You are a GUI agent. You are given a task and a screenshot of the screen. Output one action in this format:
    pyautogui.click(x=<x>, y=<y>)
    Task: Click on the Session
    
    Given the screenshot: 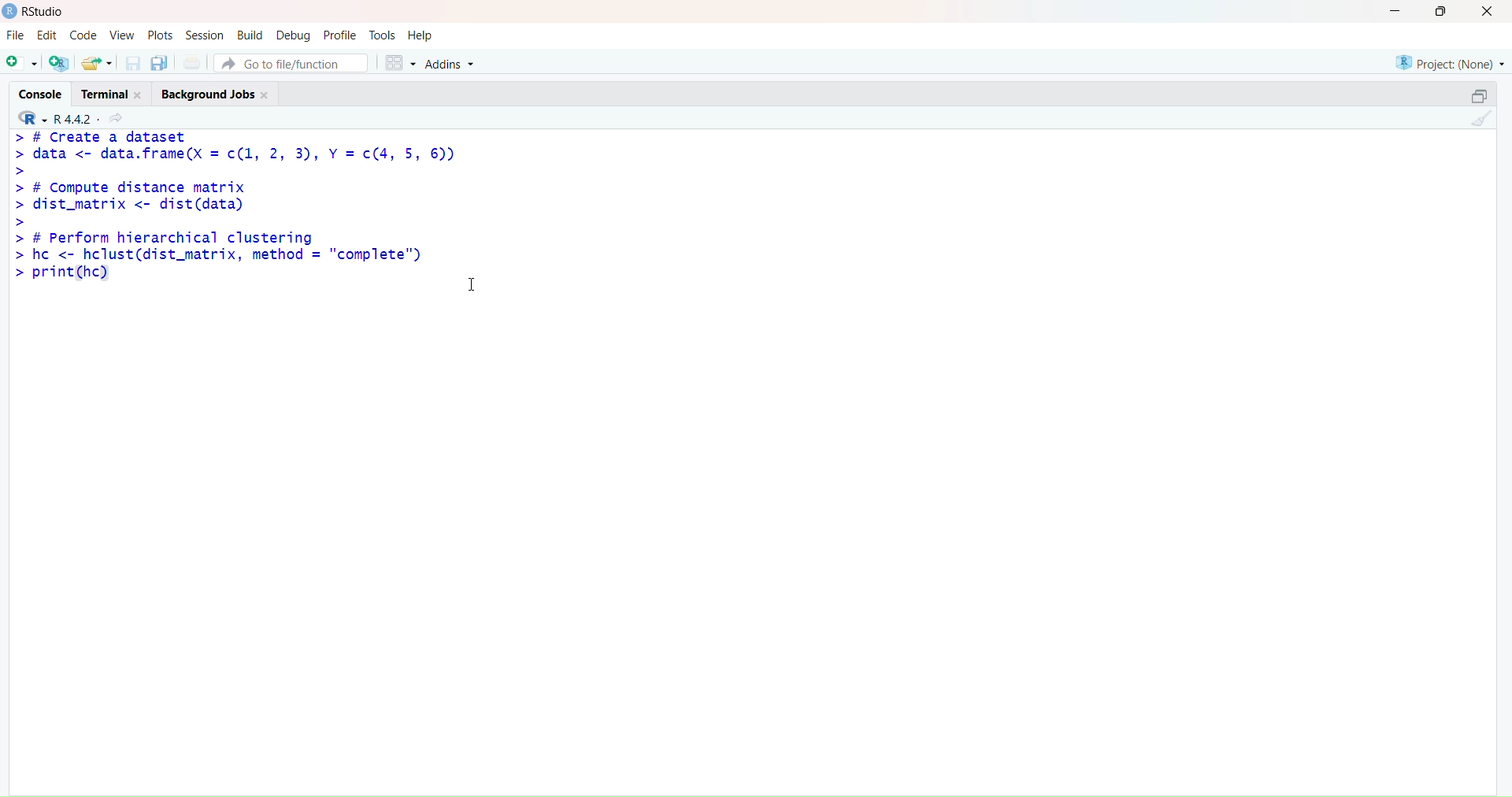 What is the action you would take?
    pyautogui.click(x=206, y=34)
    